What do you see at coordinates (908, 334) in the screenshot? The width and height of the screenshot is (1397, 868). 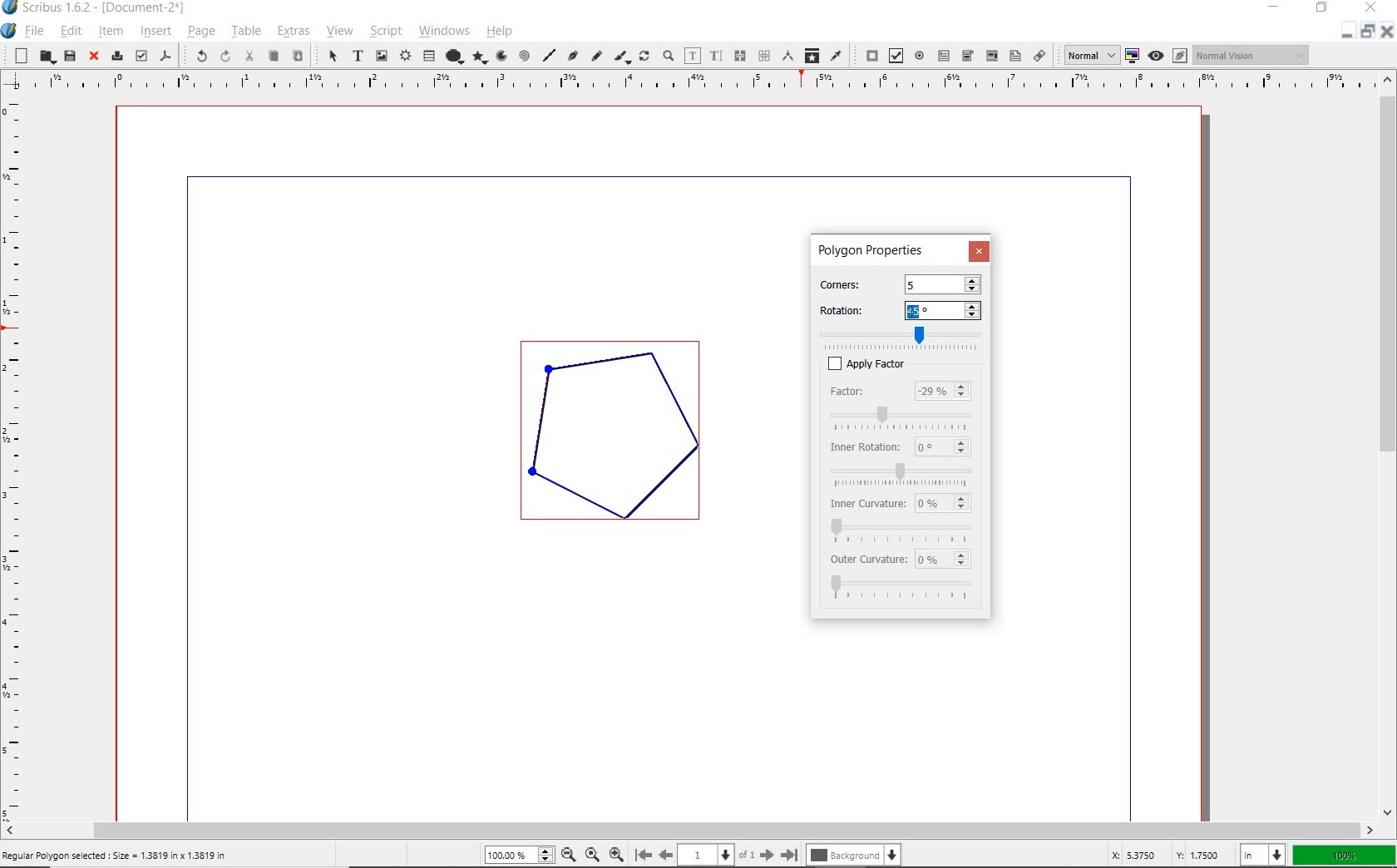 I see `slider rotate` at bounding box center [908, 334].